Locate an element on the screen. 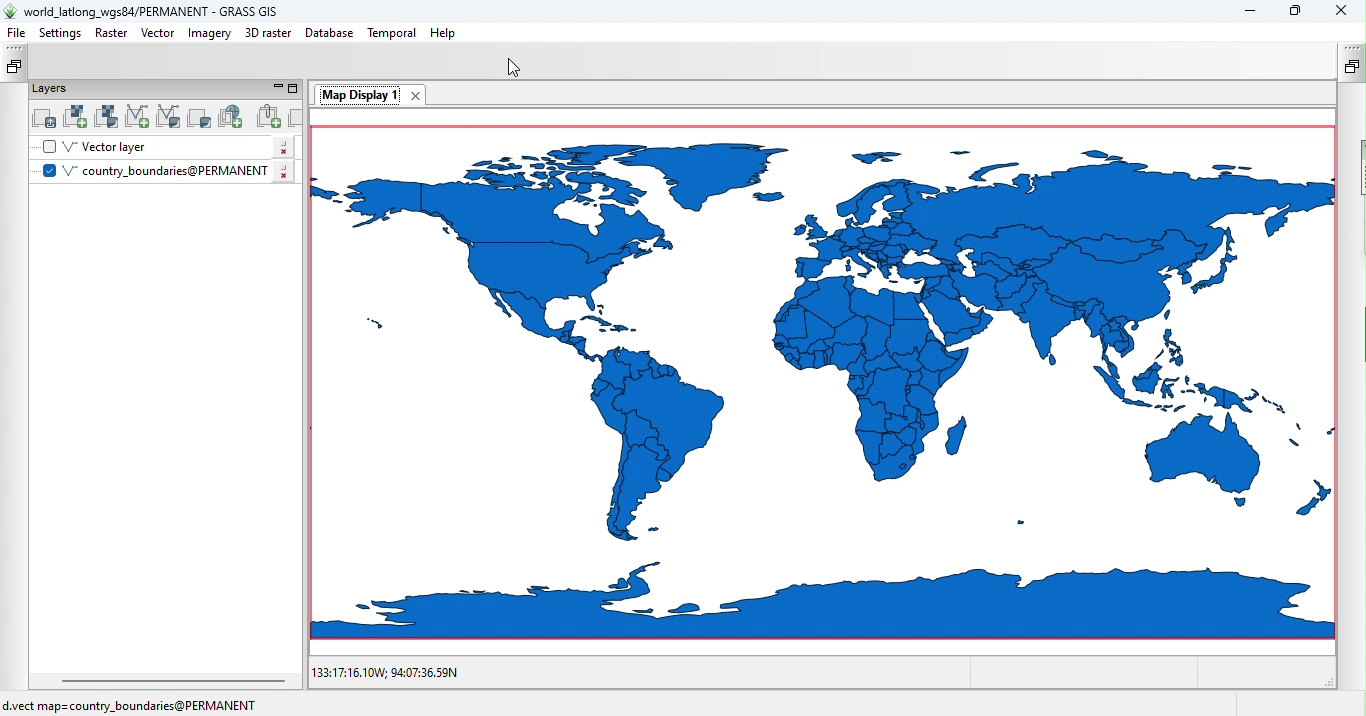 The width and height of the screenshot is (1366, 716). Add multiple raster or vector map layers is located at coordinates (44, 119).